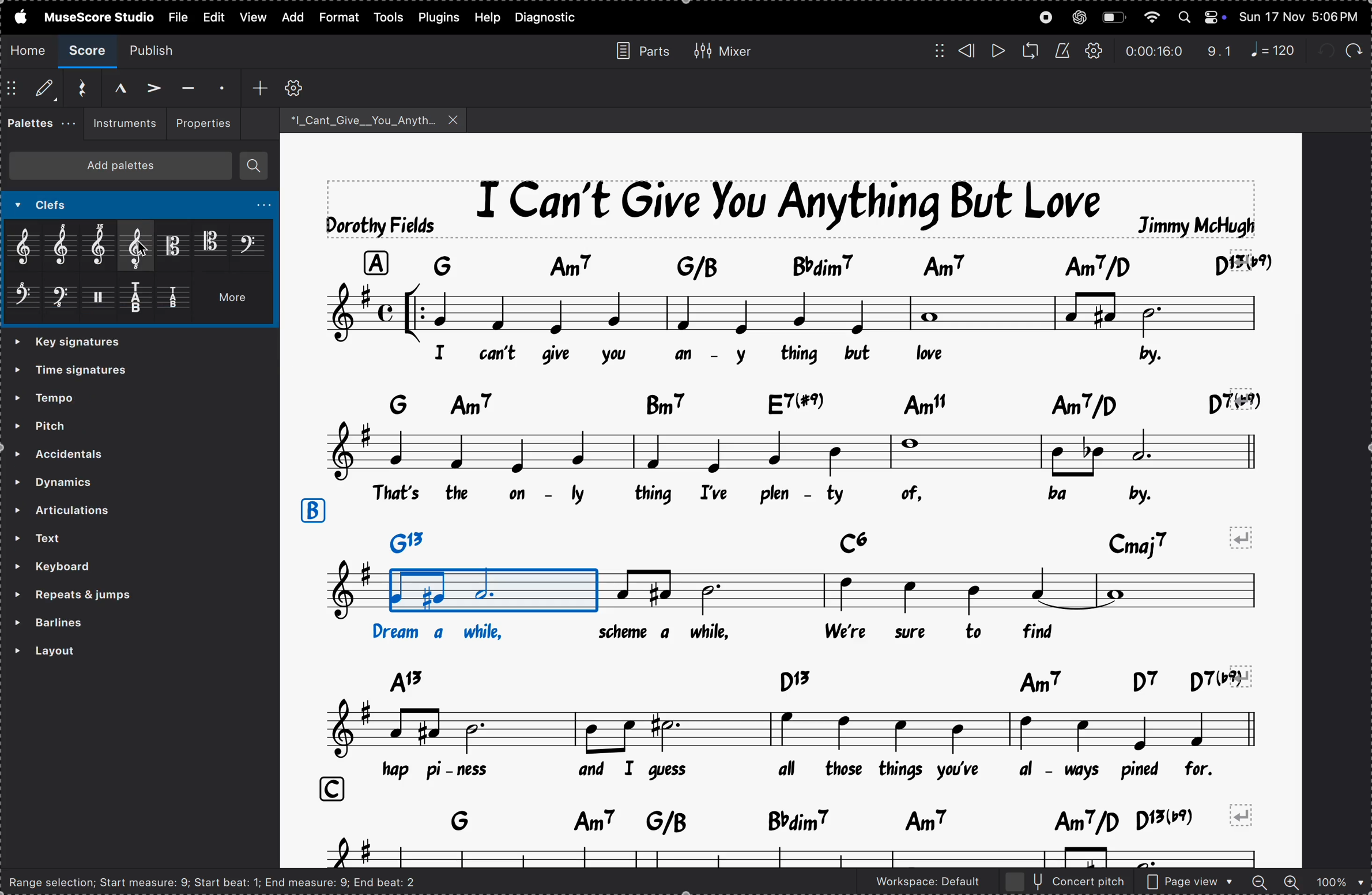  I want to click on tenor clef, so click(211, 242).